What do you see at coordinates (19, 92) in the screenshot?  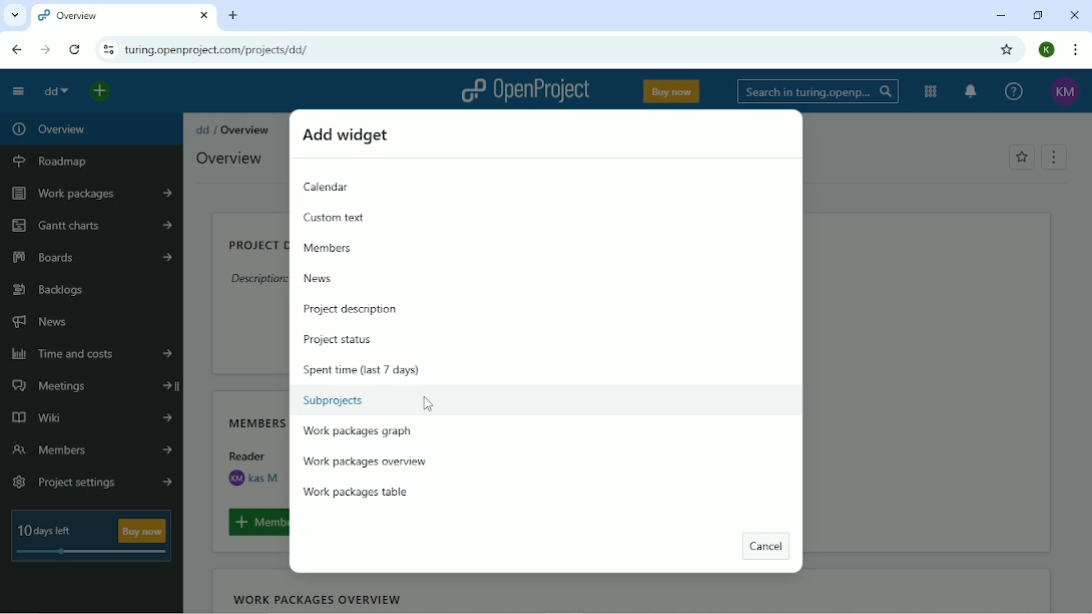 I see `Collapse project menu` at bounding box center [19, 92].